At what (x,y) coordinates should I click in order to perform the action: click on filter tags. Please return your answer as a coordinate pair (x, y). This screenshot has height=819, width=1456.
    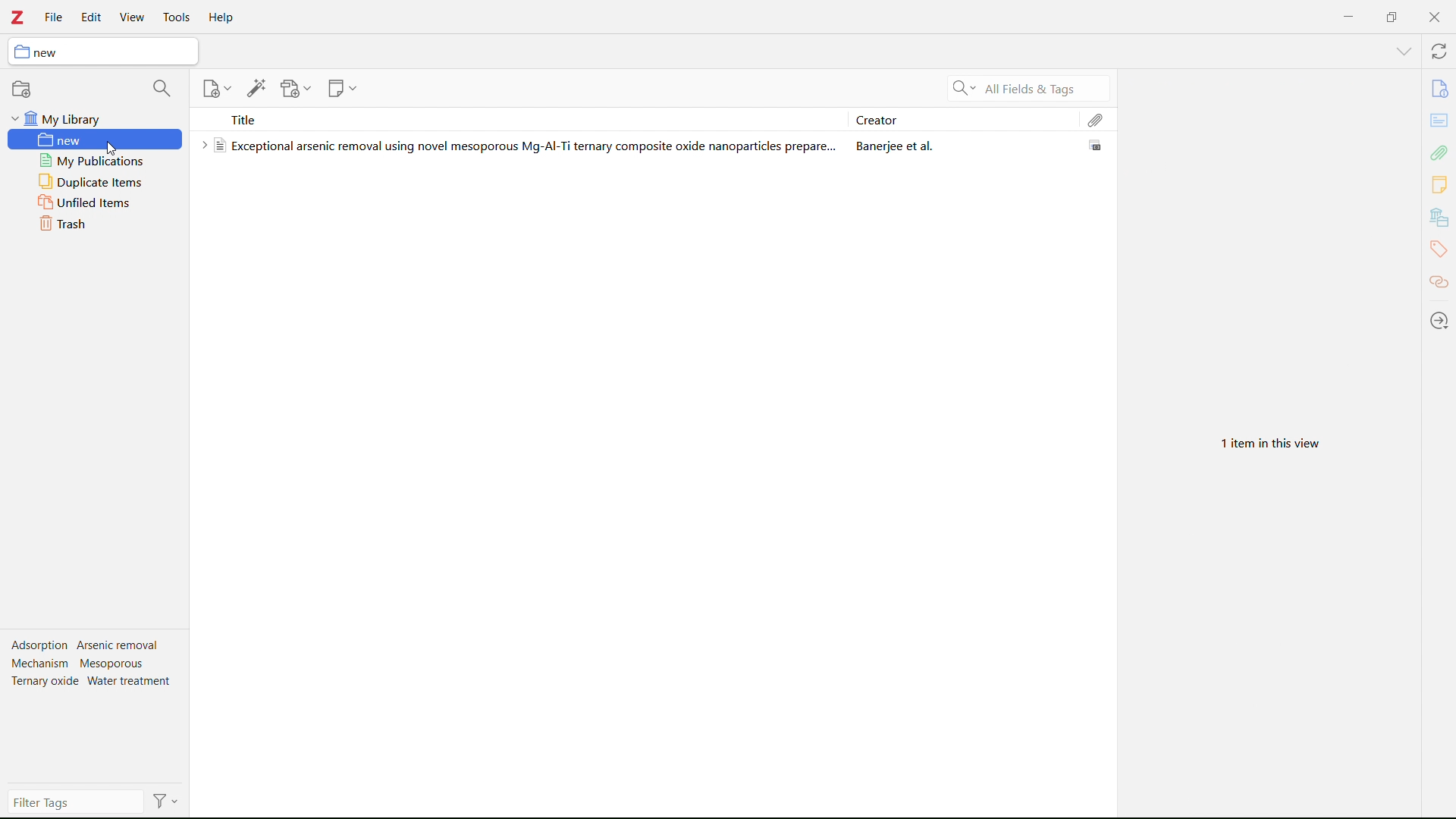
    Looking at the image, I should click on (75, 802).